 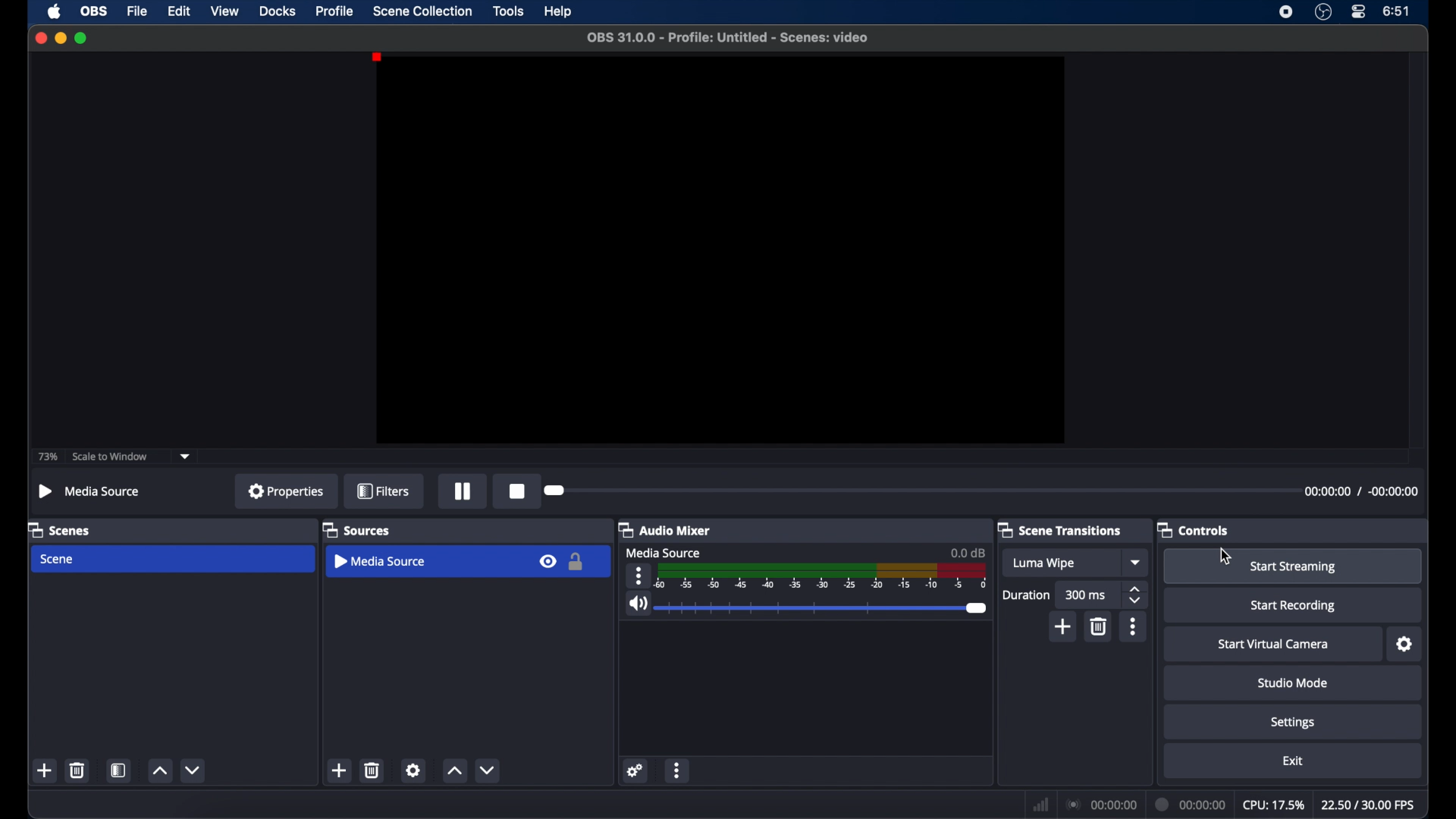 I want to click on duration, so click(x=1191, y=804).